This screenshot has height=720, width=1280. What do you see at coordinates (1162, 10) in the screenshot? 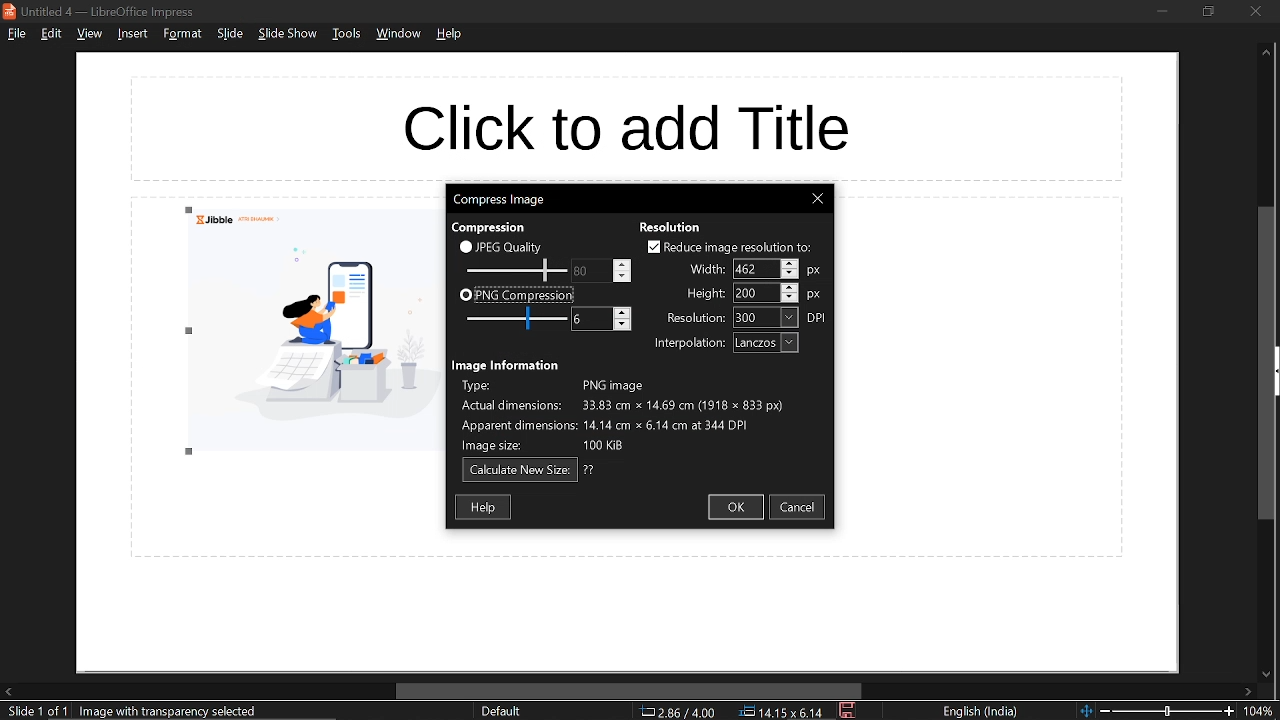
I see `minimize` at bounding box center [1162, 10].